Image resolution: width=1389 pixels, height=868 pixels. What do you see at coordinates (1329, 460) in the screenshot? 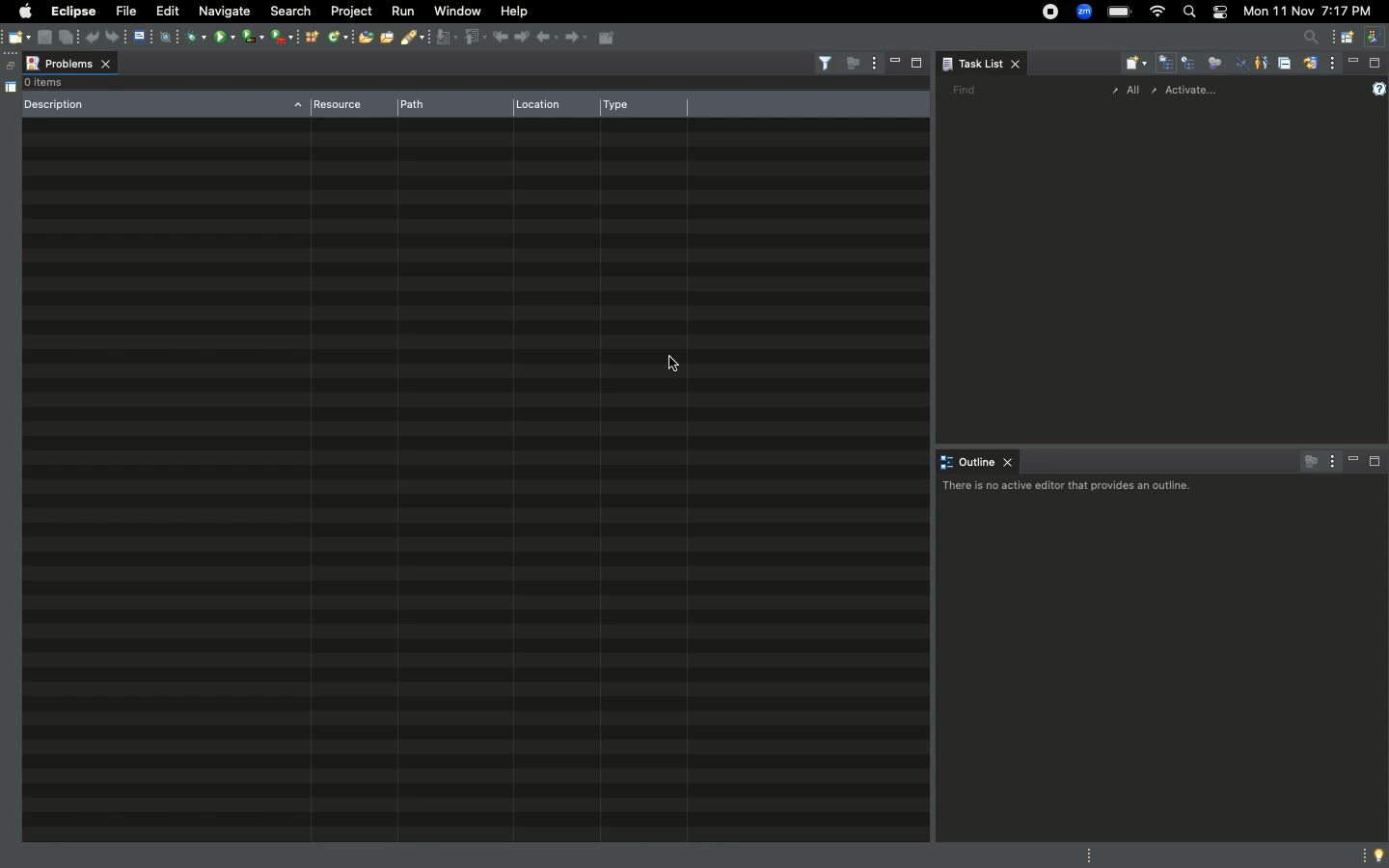
I see `View menu` at bounding box center [1329, 460].